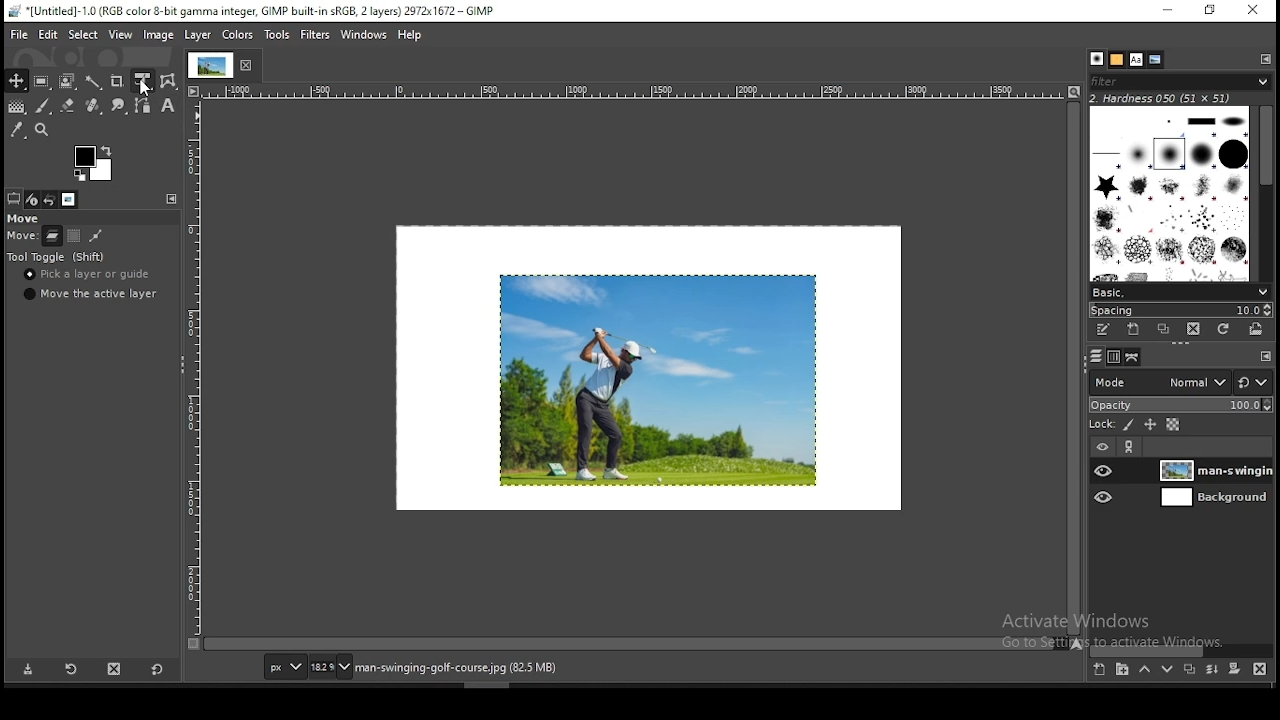 This screenshot has width=1280, height=720. Describe the element at coordinates (172, 199) in the screenshot. I see `configure this tab` at that location.